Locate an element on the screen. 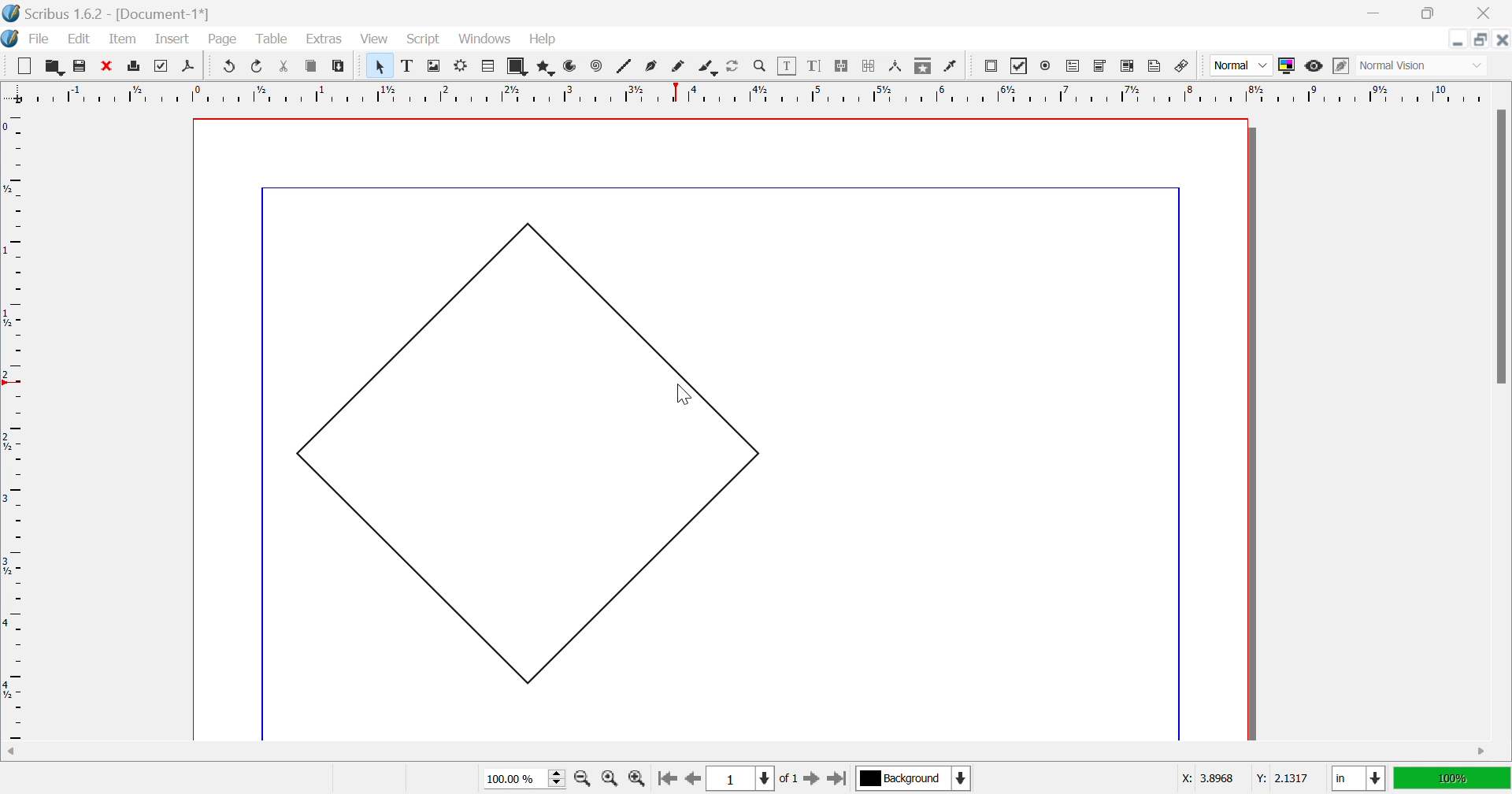 This screenshot has height=794, width=1512. Spiral is located at coordinates (600, 65).